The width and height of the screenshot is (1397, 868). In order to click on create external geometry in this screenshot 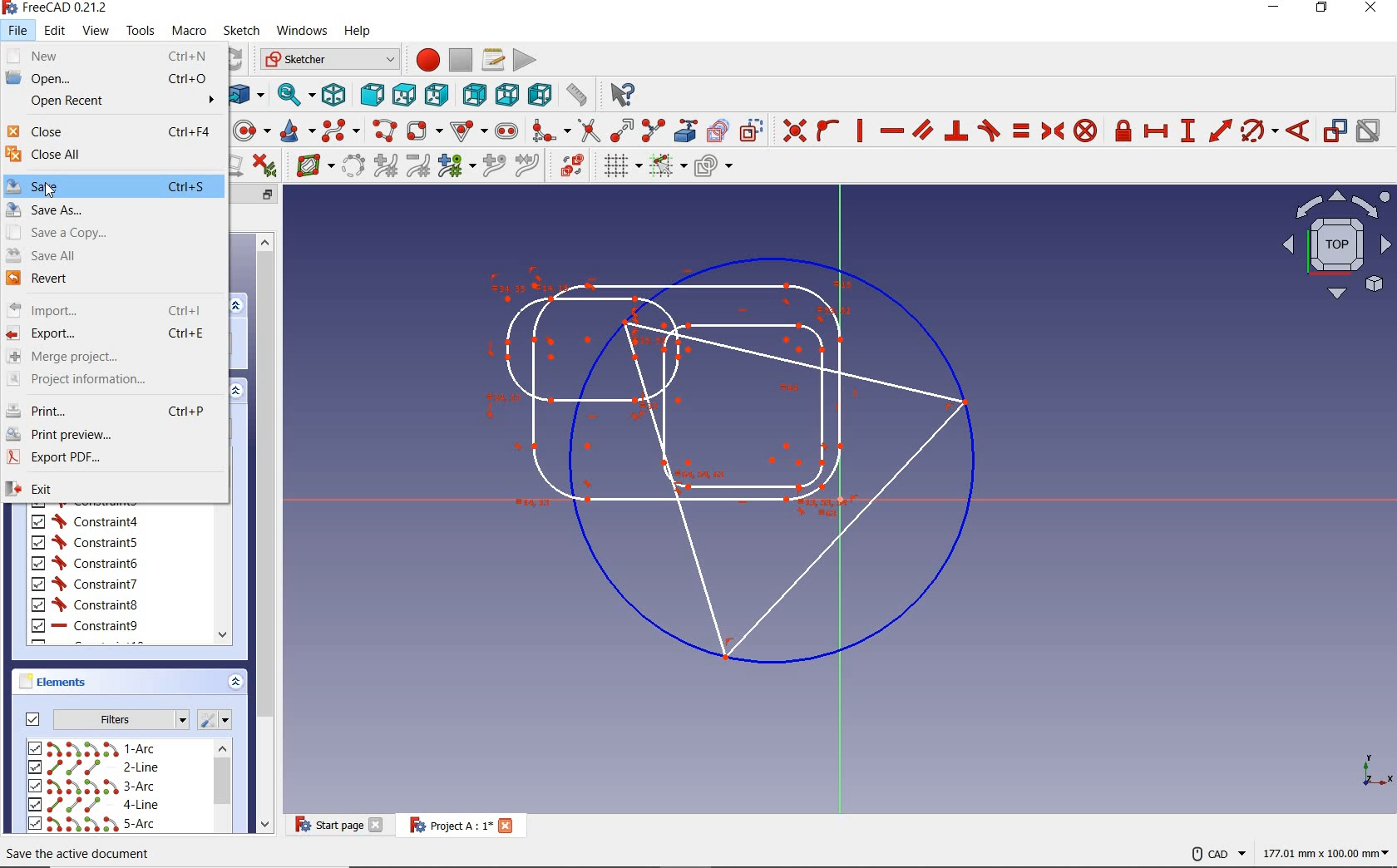, I will do `click(683, 131)`.